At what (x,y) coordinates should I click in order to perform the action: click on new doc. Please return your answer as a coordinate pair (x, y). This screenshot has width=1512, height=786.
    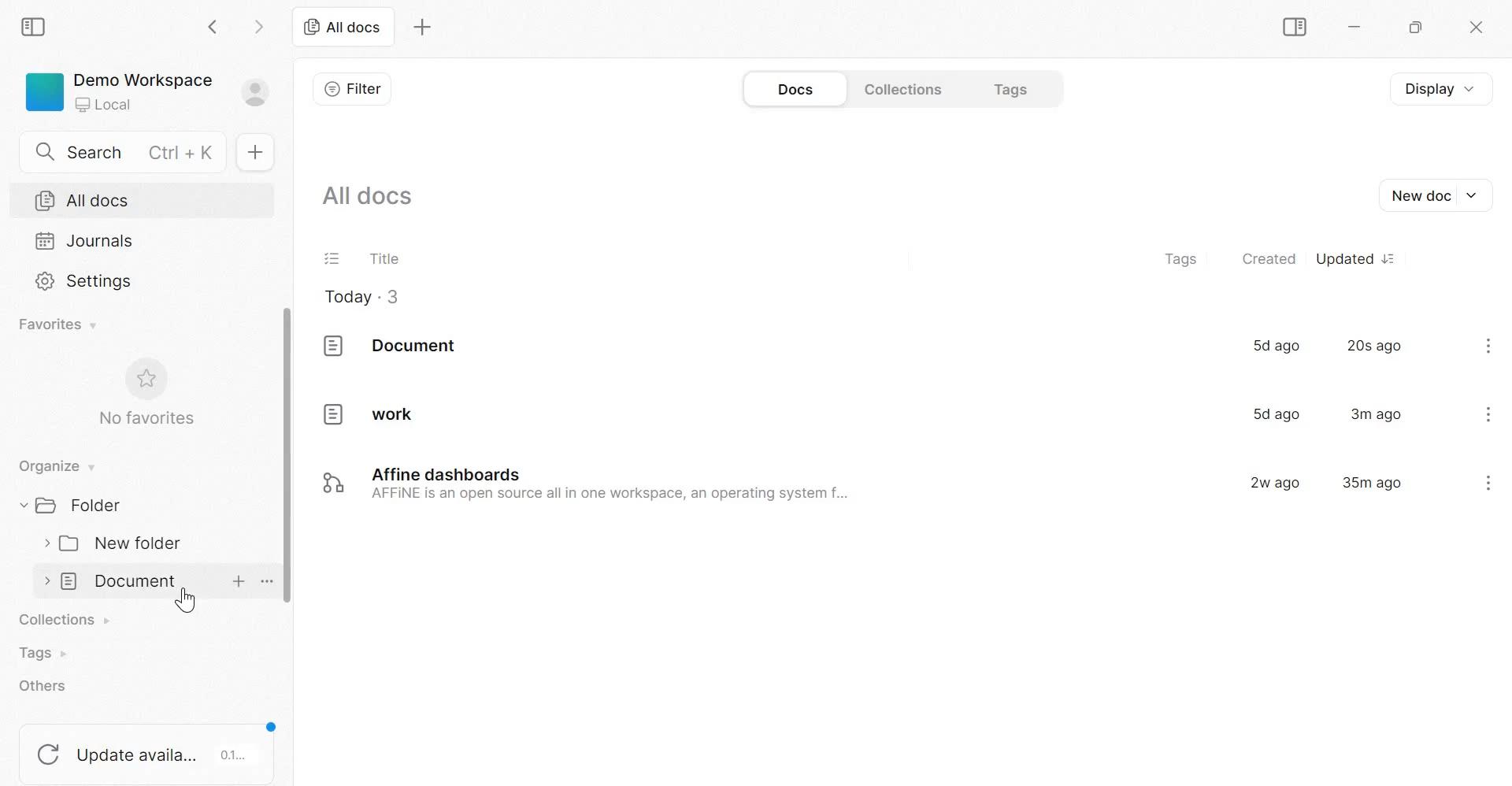
    Looking at the image, I should click on (238, 580).